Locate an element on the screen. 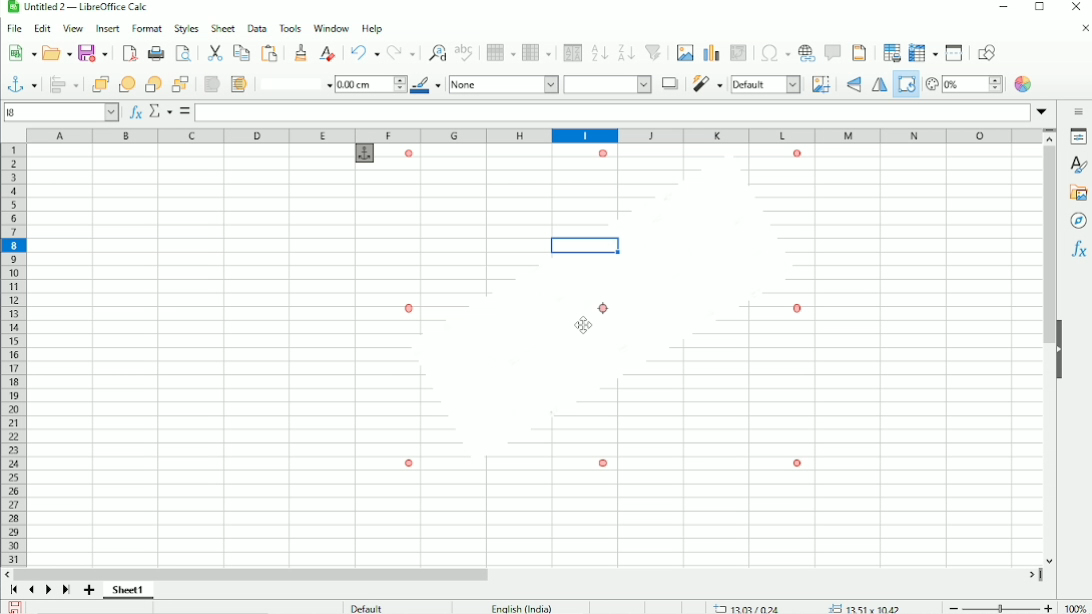 Image resolution: width=1092 pixels, height=614 pixels. Define print area is located at coordinates (892, 52).